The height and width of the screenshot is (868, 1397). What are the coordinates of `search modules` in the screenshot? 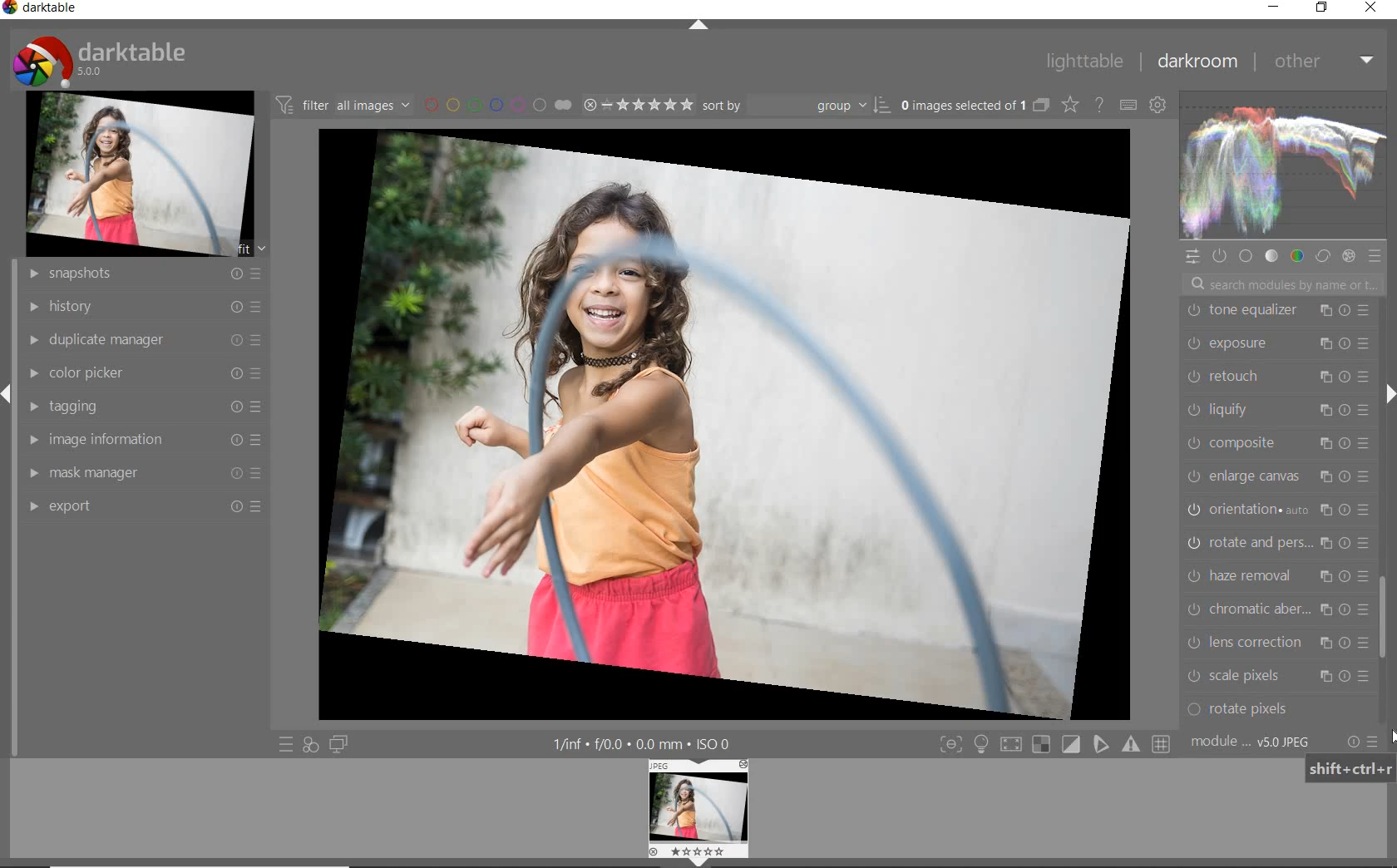 It's located at (1277, 286).